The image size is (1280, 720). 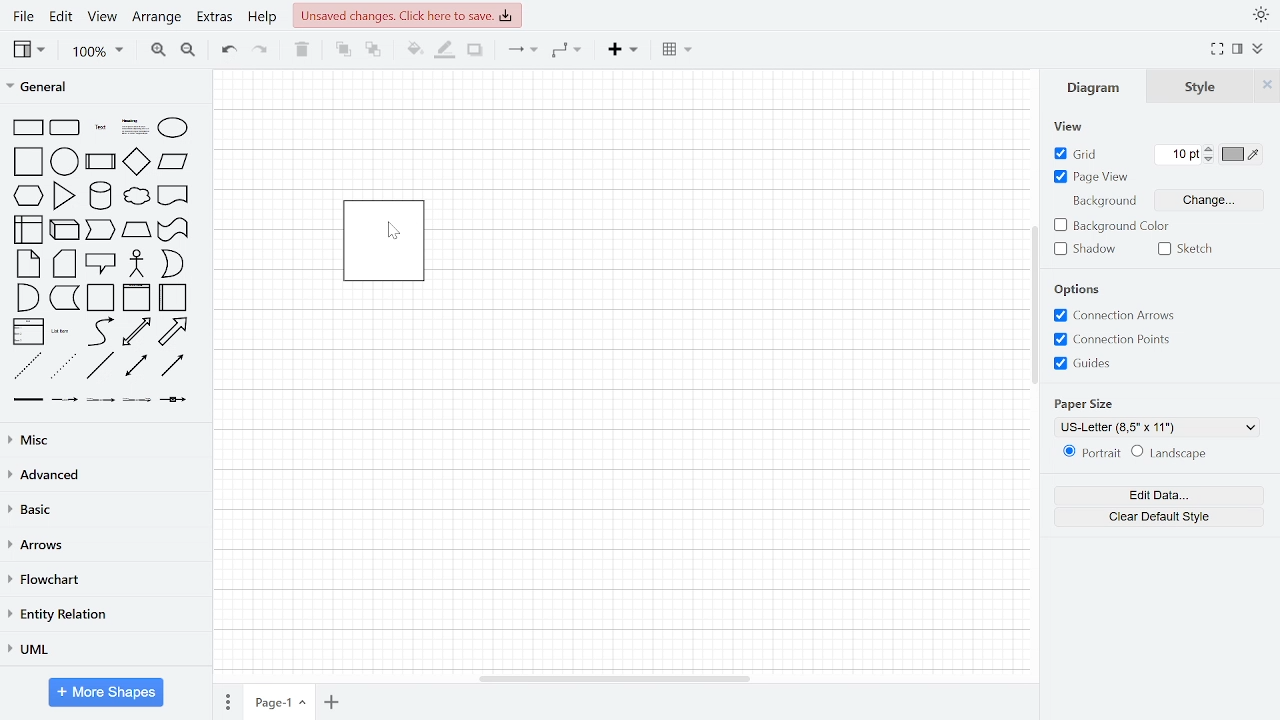 What do you see at coordinates (65, 194) in the screenshot?
I see `triangle` at bounding box center [65, 194].